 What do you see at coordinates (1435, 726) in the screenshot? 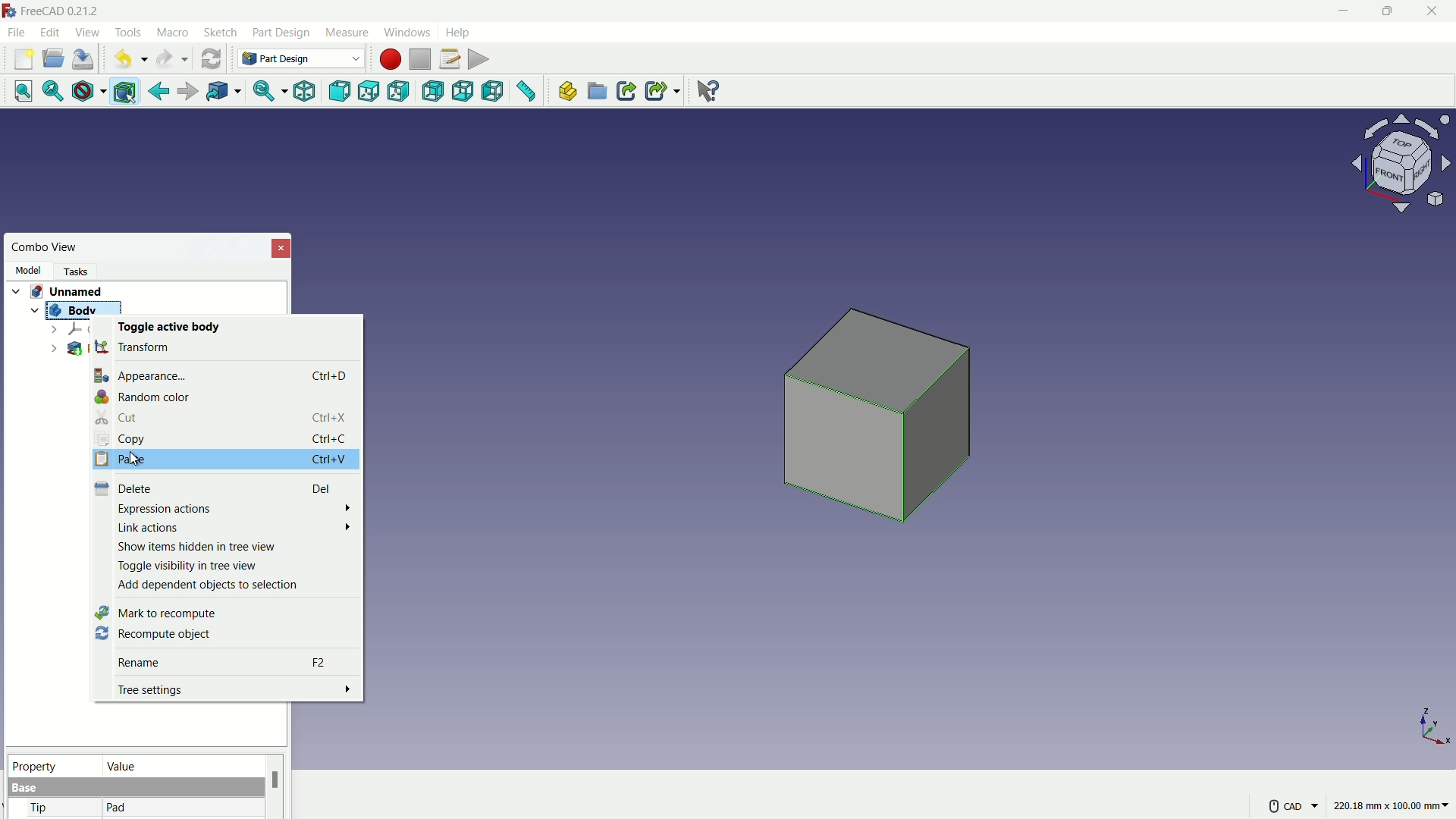
I see `axis` at bounding box center [1435, 726].